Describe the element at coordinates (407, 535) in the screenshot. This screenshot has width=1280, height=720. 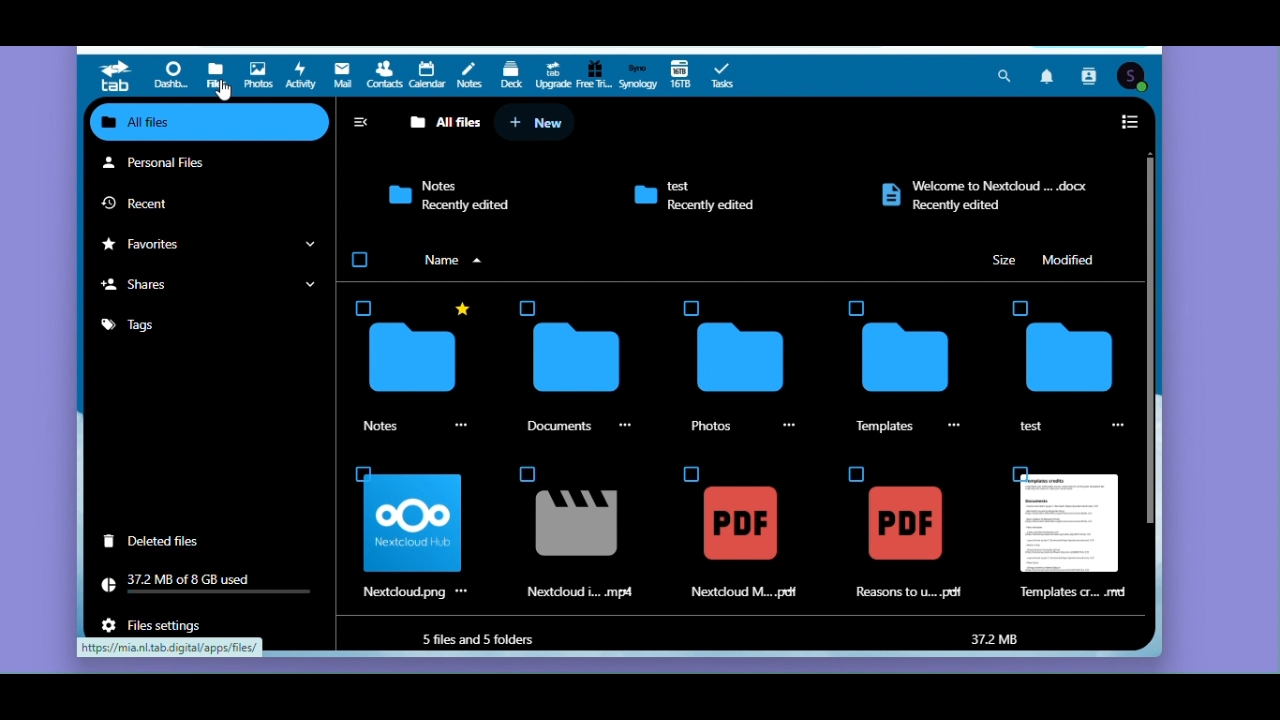
I see `nextcloud.png` at that location.